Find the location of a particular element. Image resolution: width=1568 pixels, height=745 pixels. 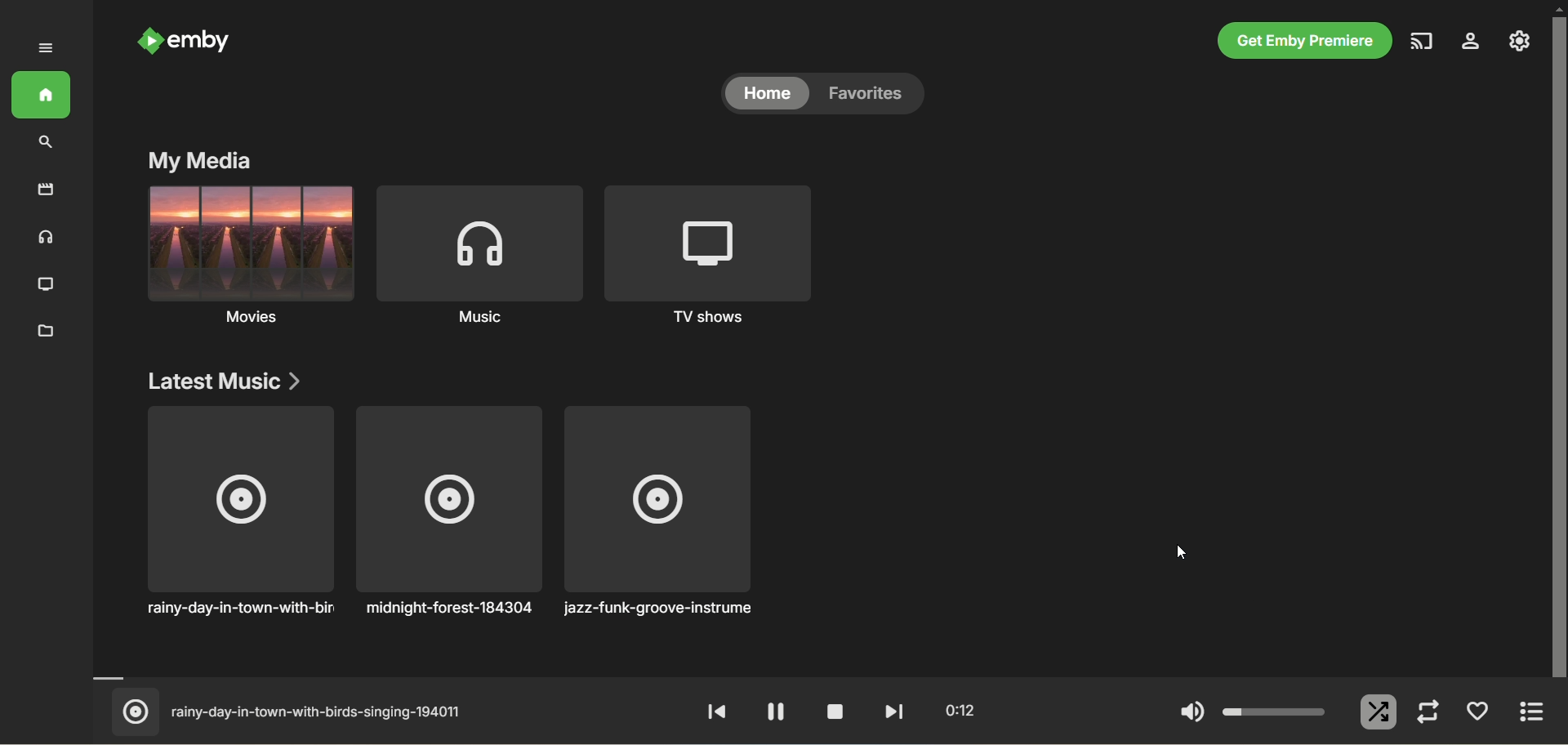

latest music is located at coordinates (223, 381).